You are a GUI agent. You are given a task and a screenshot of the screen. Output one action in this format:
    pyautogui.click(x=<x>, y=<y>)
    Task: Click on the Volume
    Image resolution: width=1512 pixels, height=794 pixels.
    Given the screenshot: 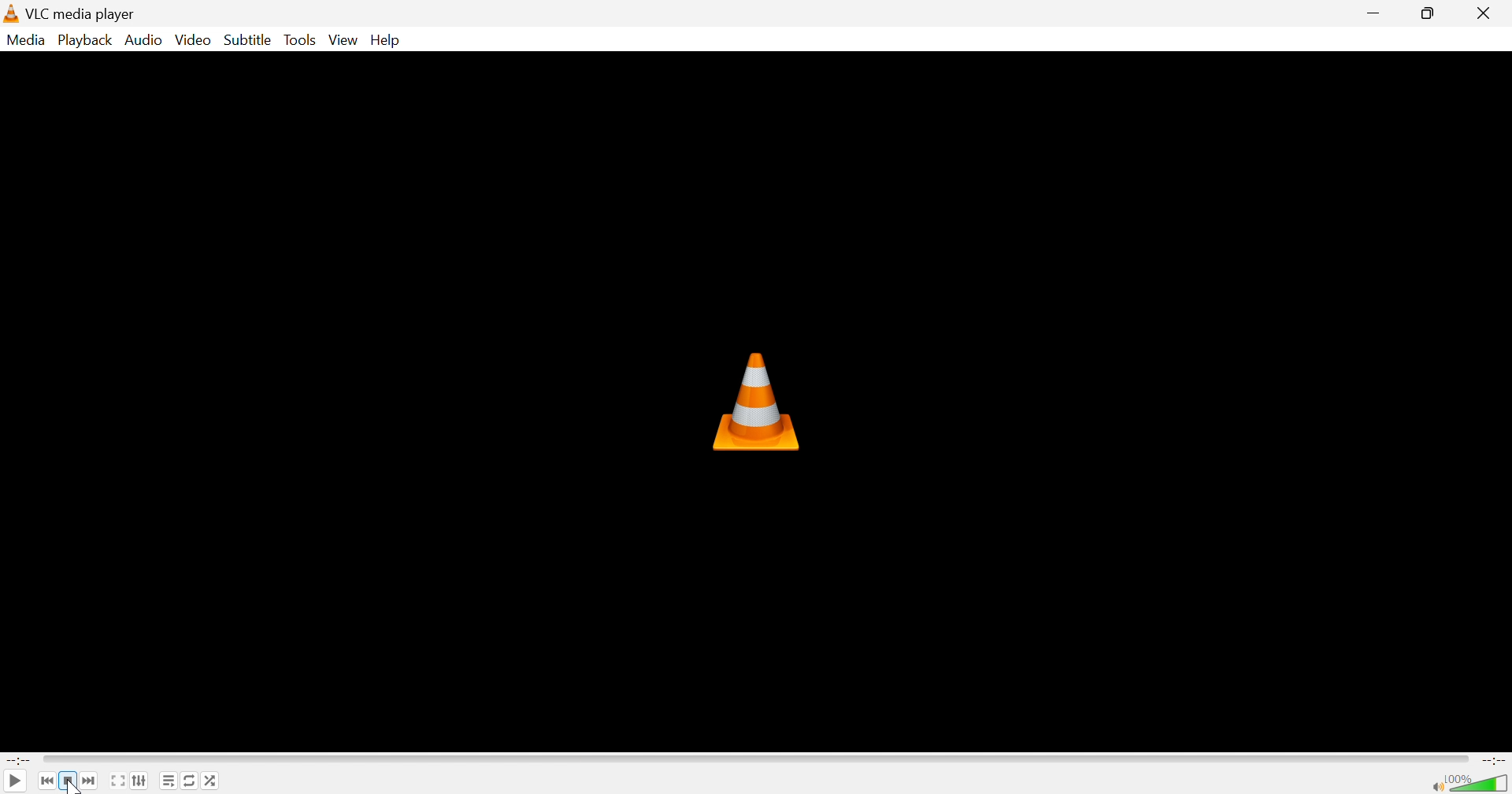 What is the action you would take?
    pyautogui.click(x=1477, y=781)
    